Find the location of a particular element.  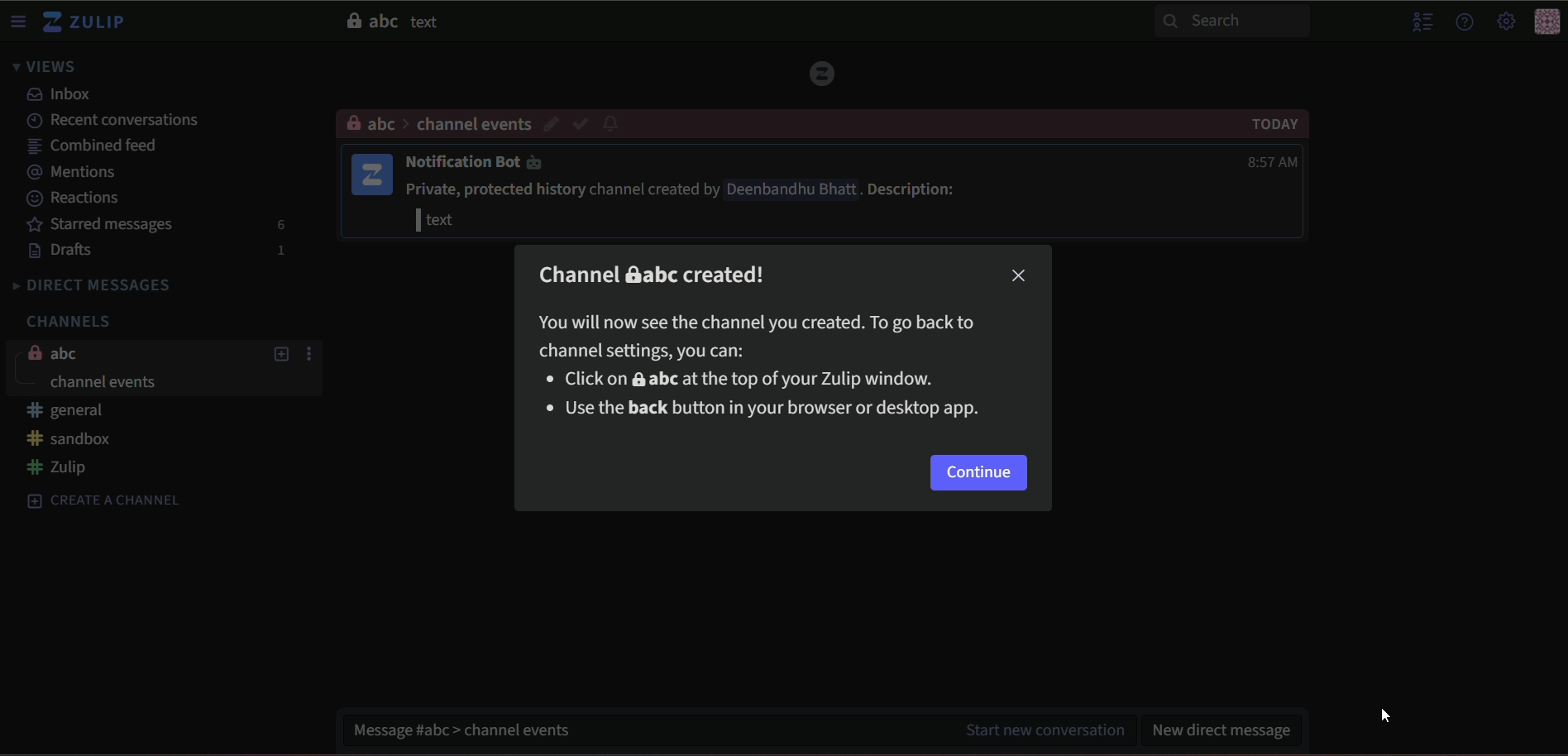

main menu is located at coordinates (1504, 21).